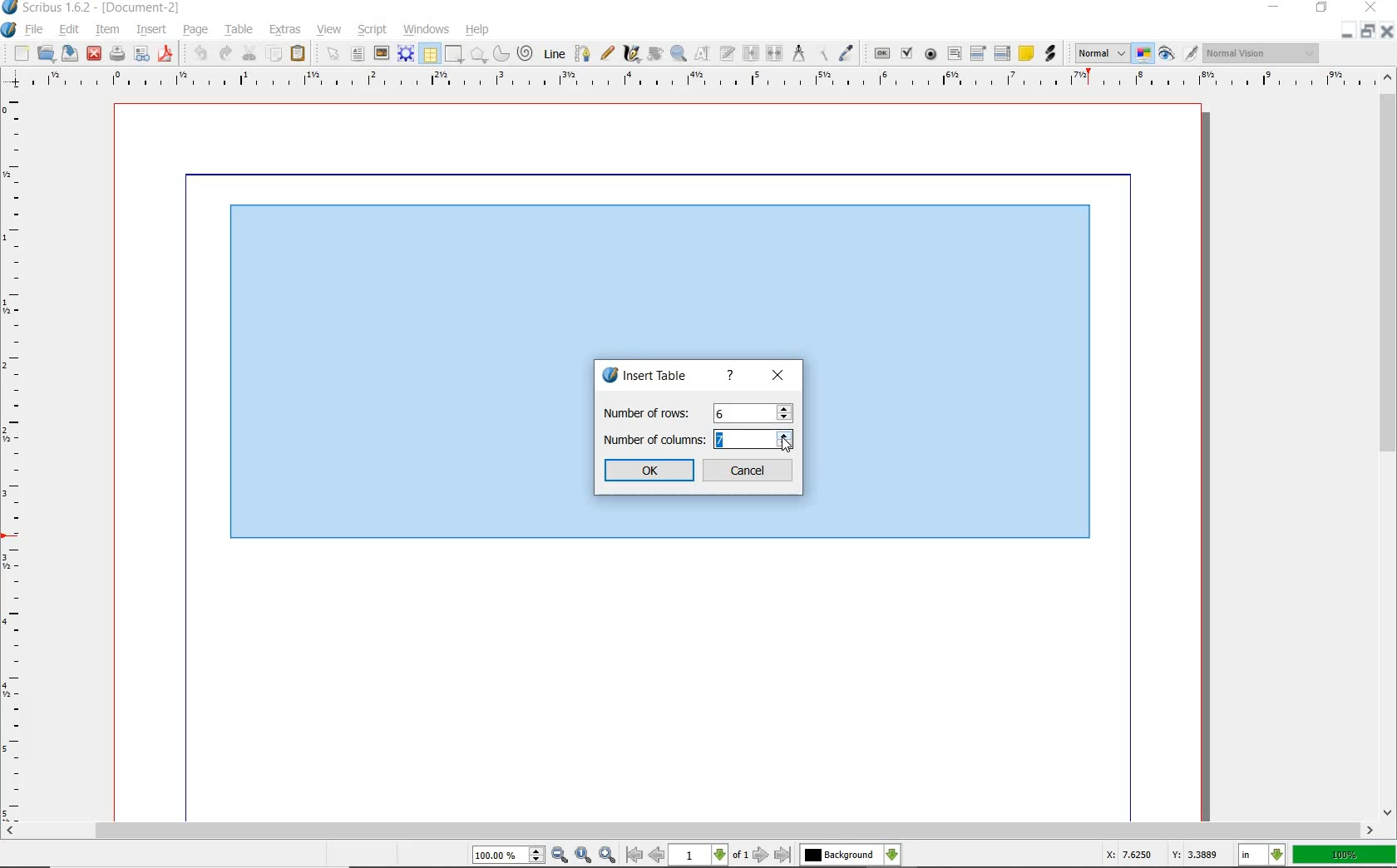 The height and width of the screenshot is (868, 1397). I want to click on insert table, so click(644, 375).